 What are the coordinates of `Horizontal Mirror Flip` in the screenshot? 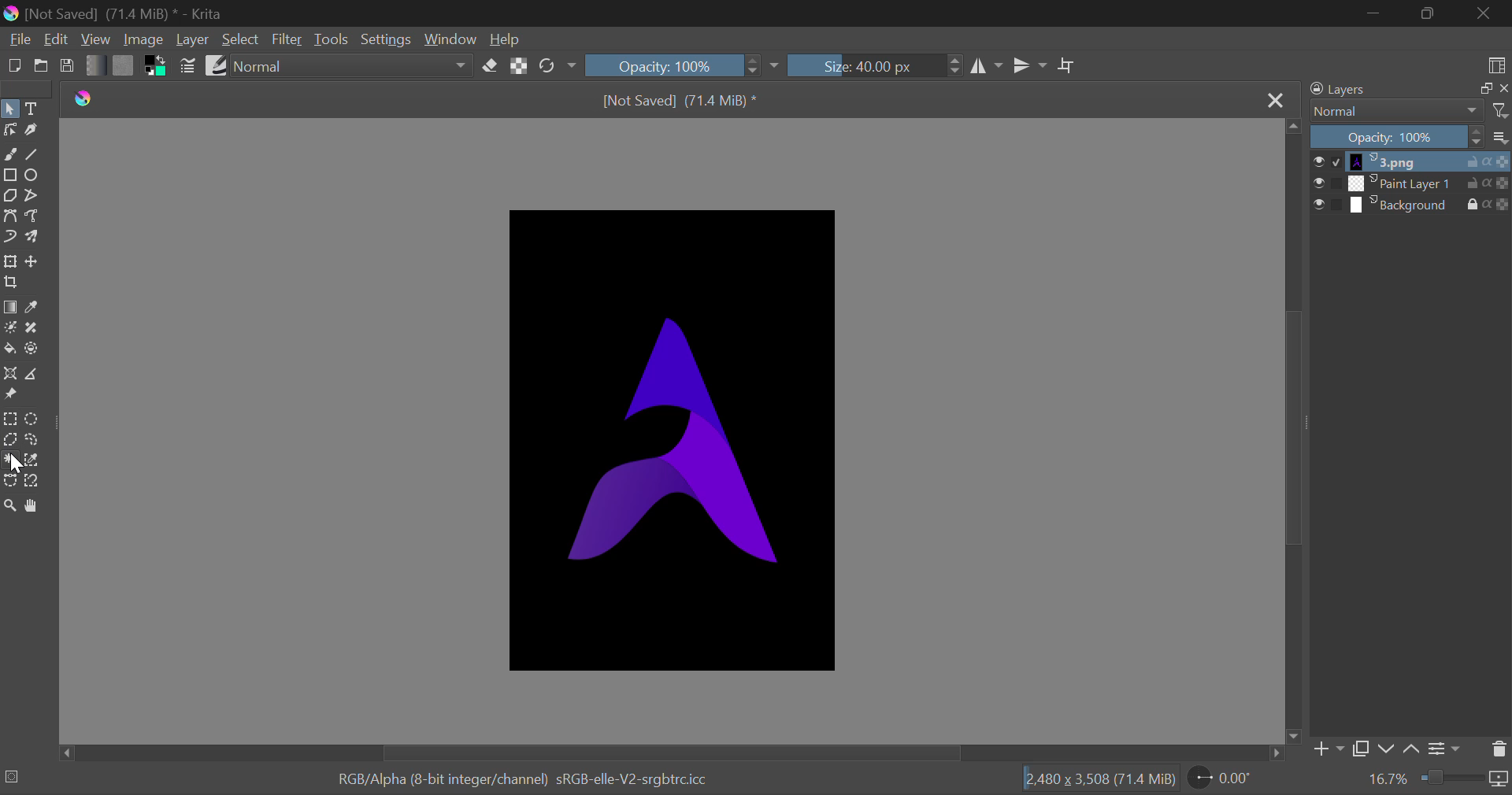 It's located at (1031, 65).